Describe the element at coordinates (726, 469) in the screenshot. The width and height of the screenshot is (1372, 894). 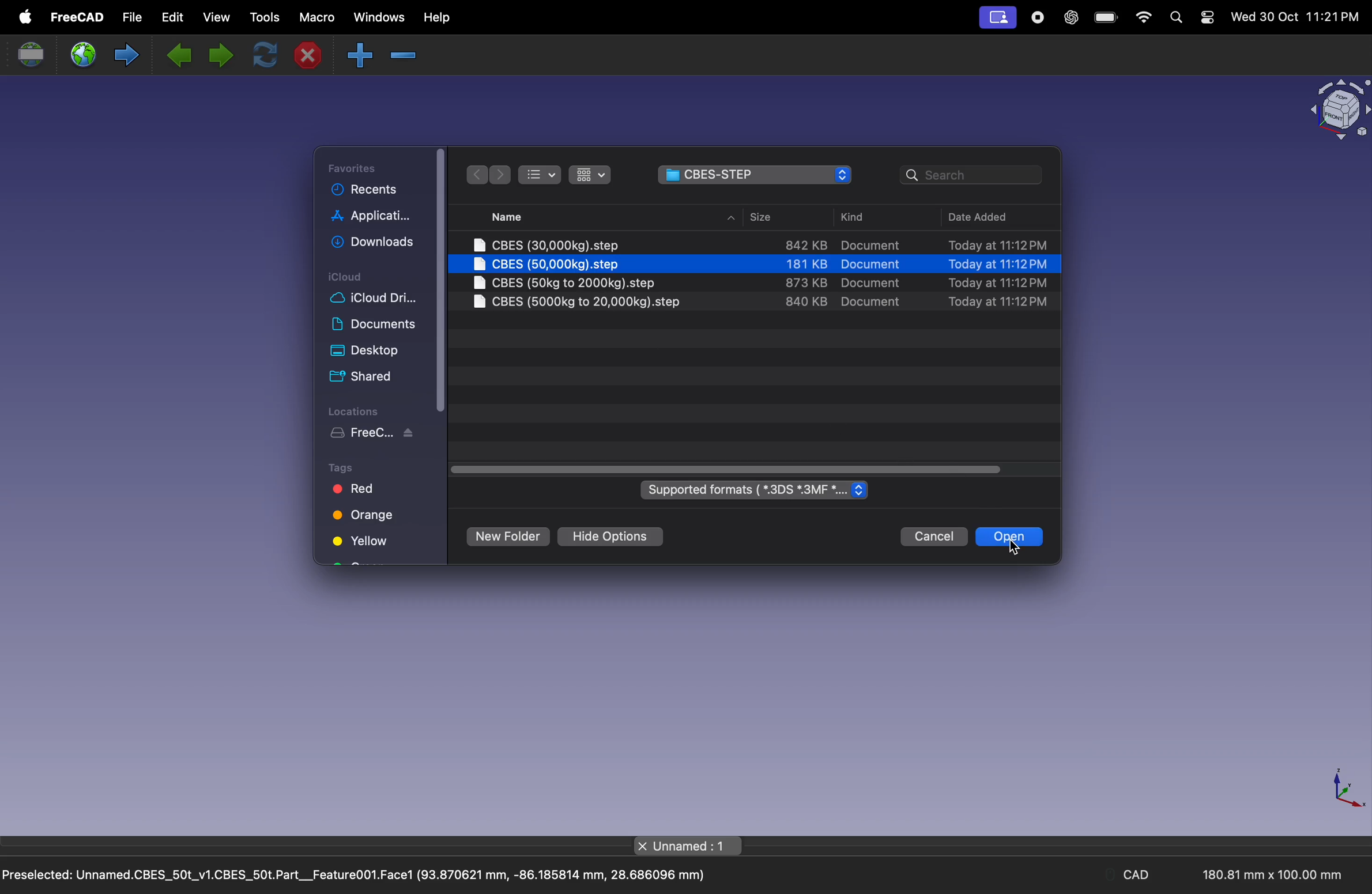
I see `scroll bar` at that location.